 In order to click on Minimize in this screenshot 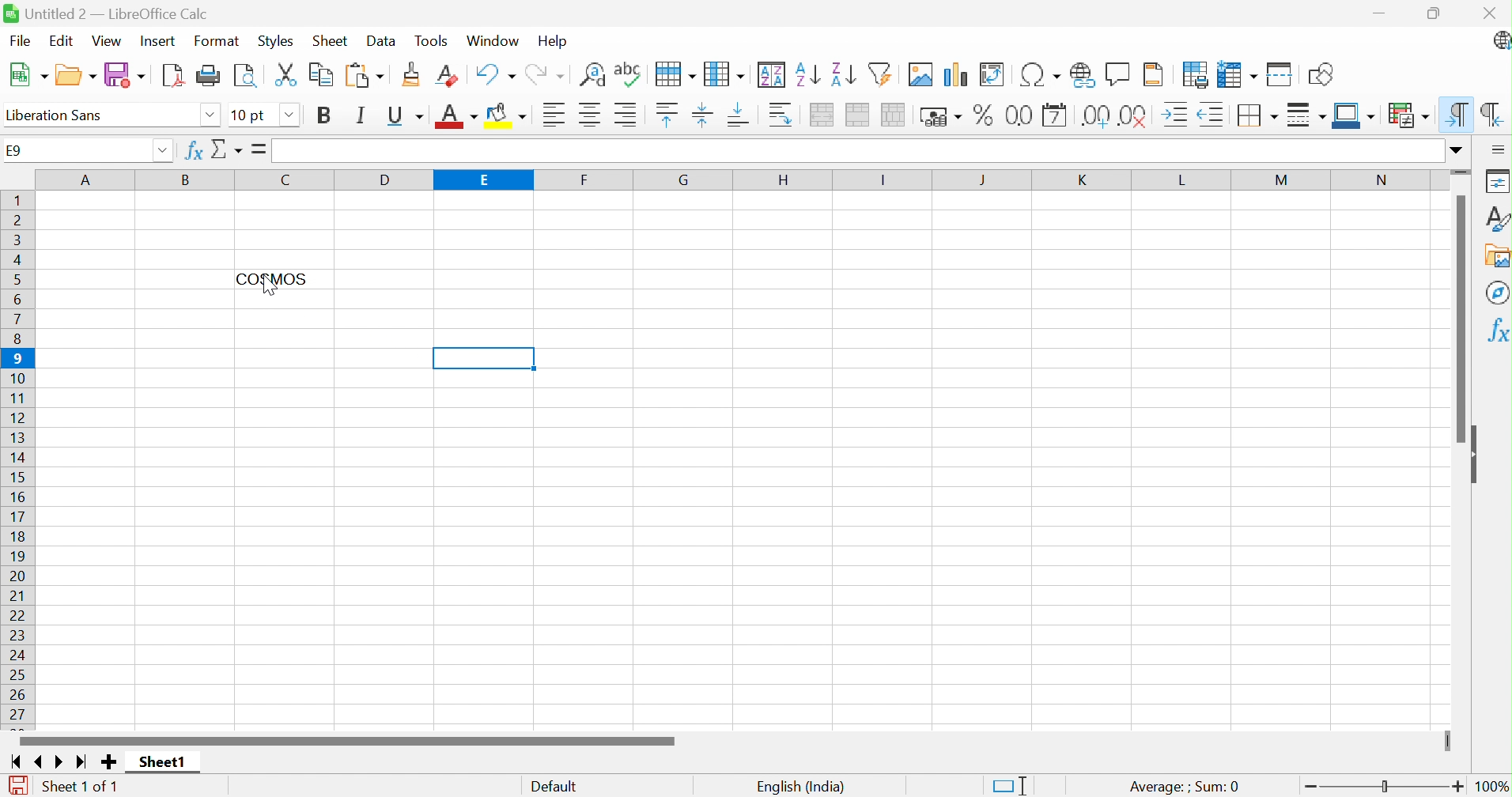, I will do `click(1384, 15)`.